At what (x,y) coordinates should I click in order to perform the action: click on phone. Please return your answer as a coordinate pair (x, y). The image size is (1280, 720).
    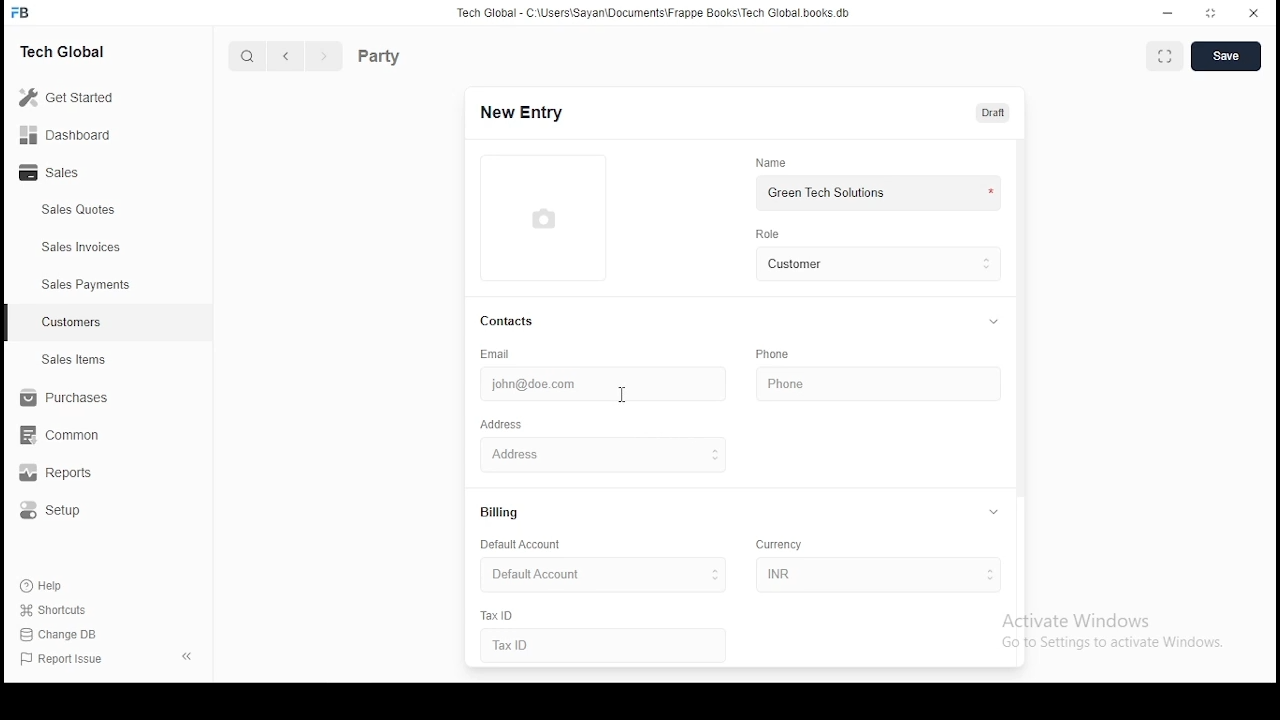
    Looking at the image, I should click on (814, 380).